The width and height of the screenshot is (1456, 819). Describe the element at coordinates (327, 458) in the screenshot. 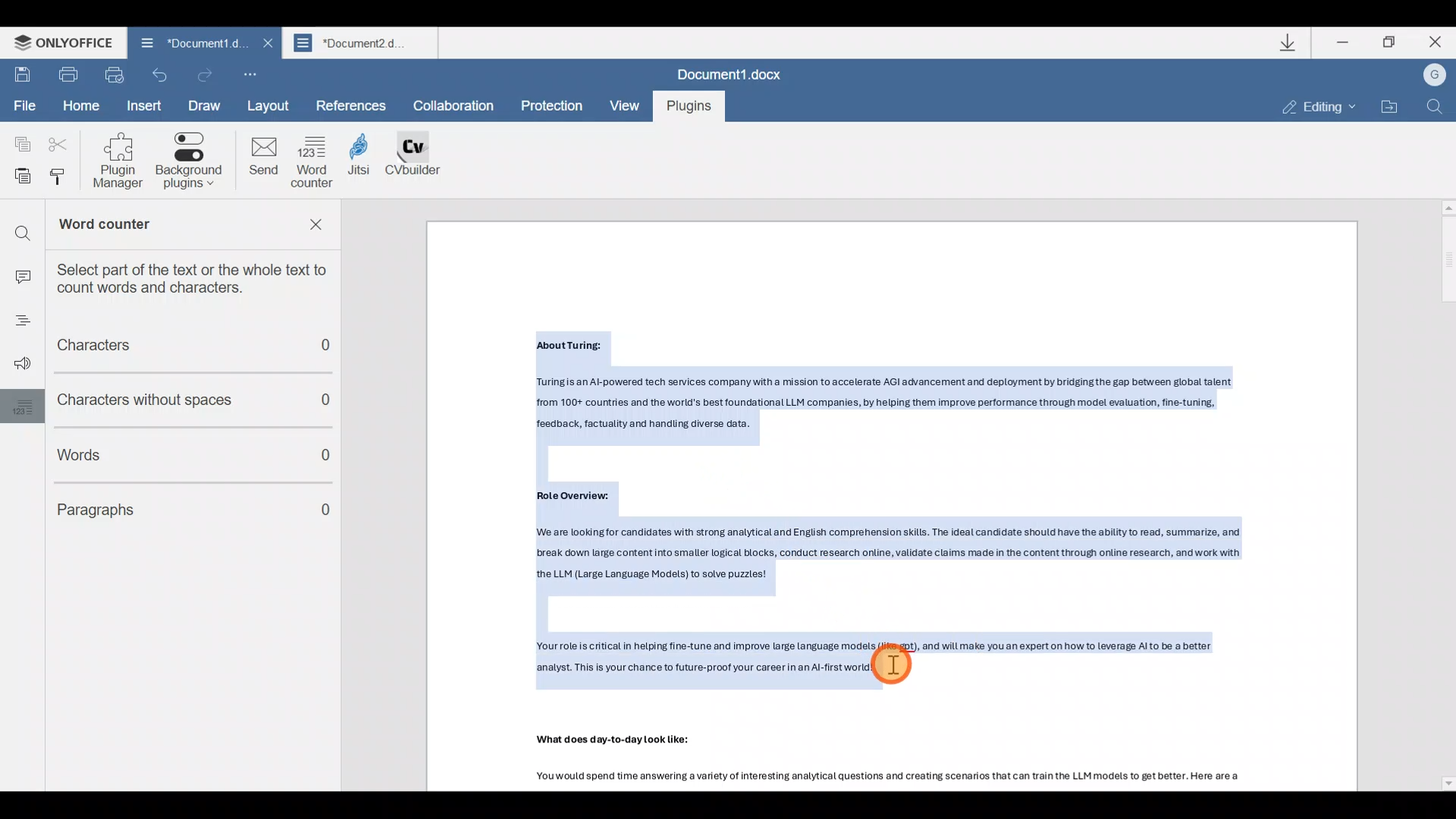

I see `0` at that location.